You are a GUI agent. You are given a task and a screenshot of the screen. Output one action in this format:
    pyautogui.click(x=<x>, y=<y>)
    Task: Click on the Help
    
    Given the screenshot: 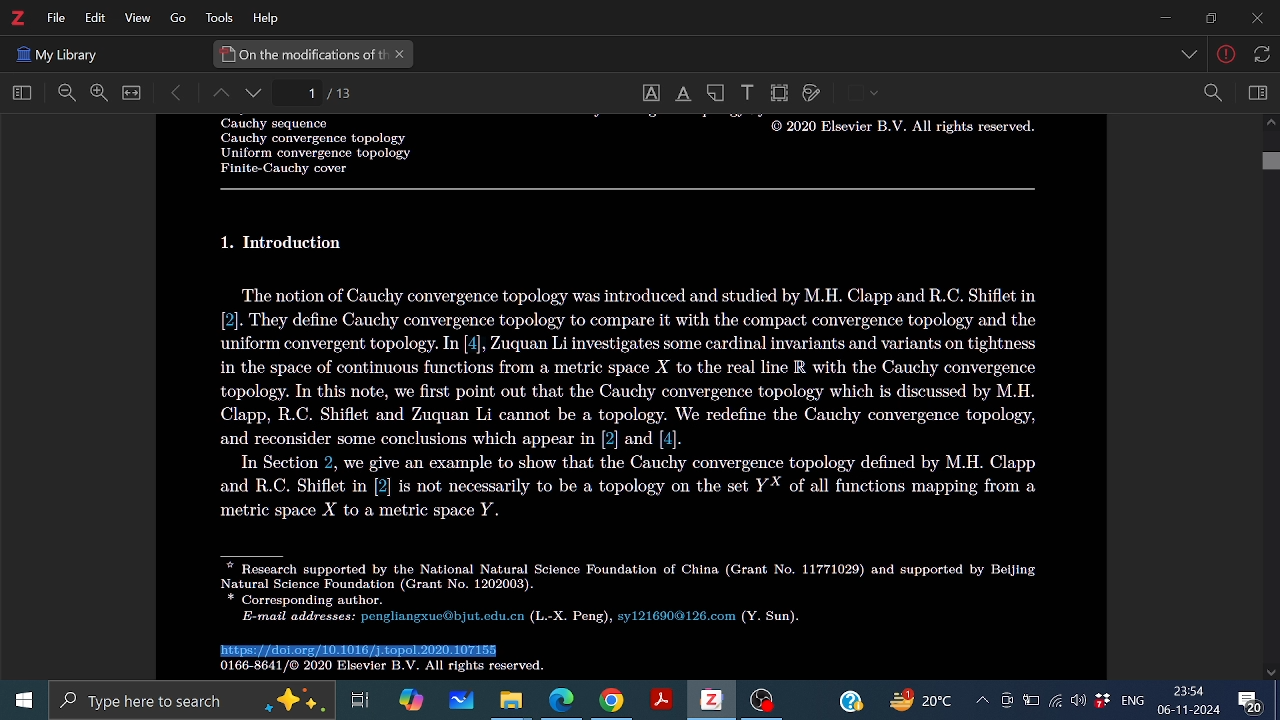 What is the action you would take?
    pyautogui.click(x=850, y=699)
    